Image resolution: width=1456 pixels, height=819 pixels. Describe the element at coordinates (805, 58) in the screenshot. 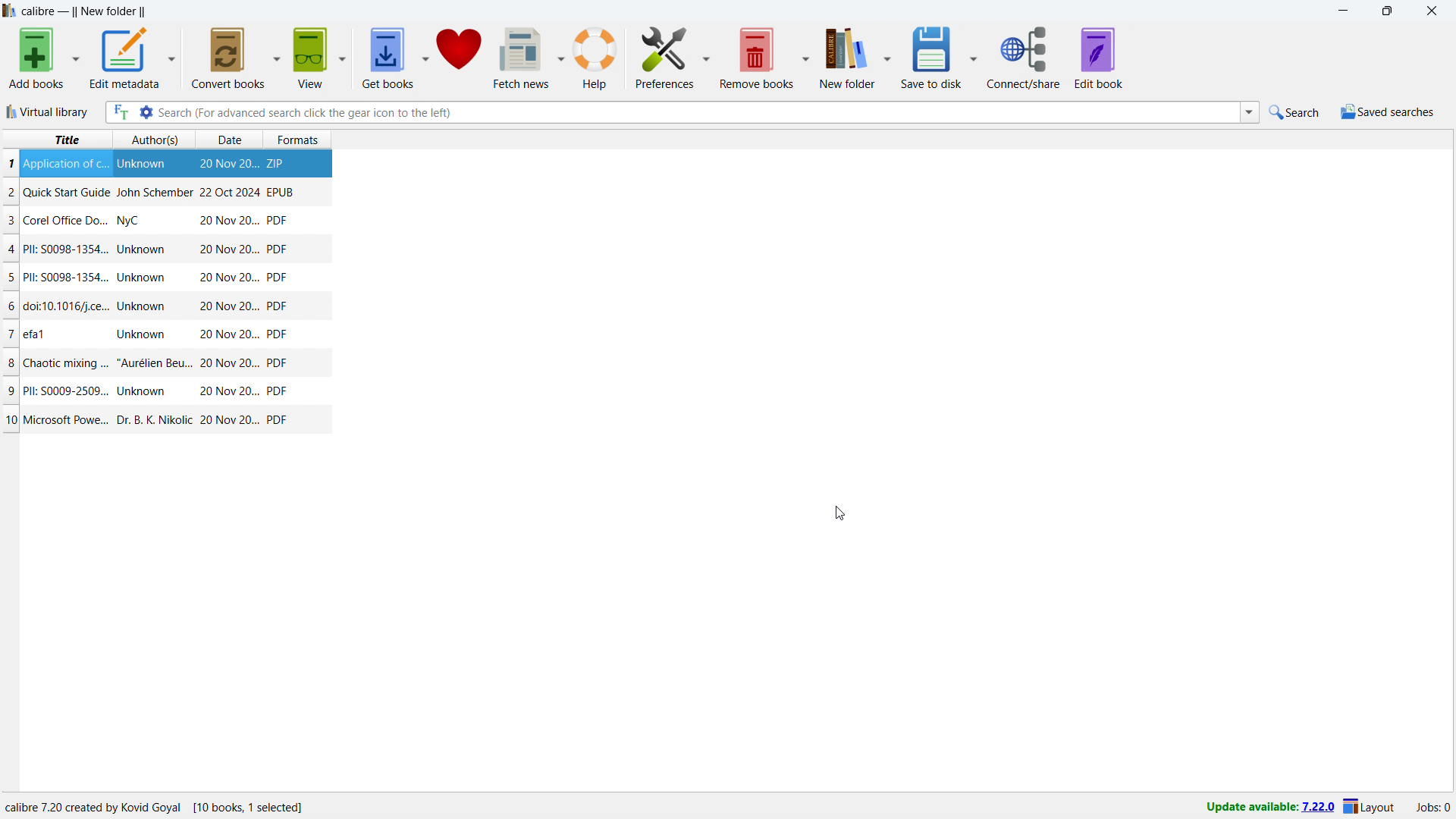

I see `remove books options` at that location.